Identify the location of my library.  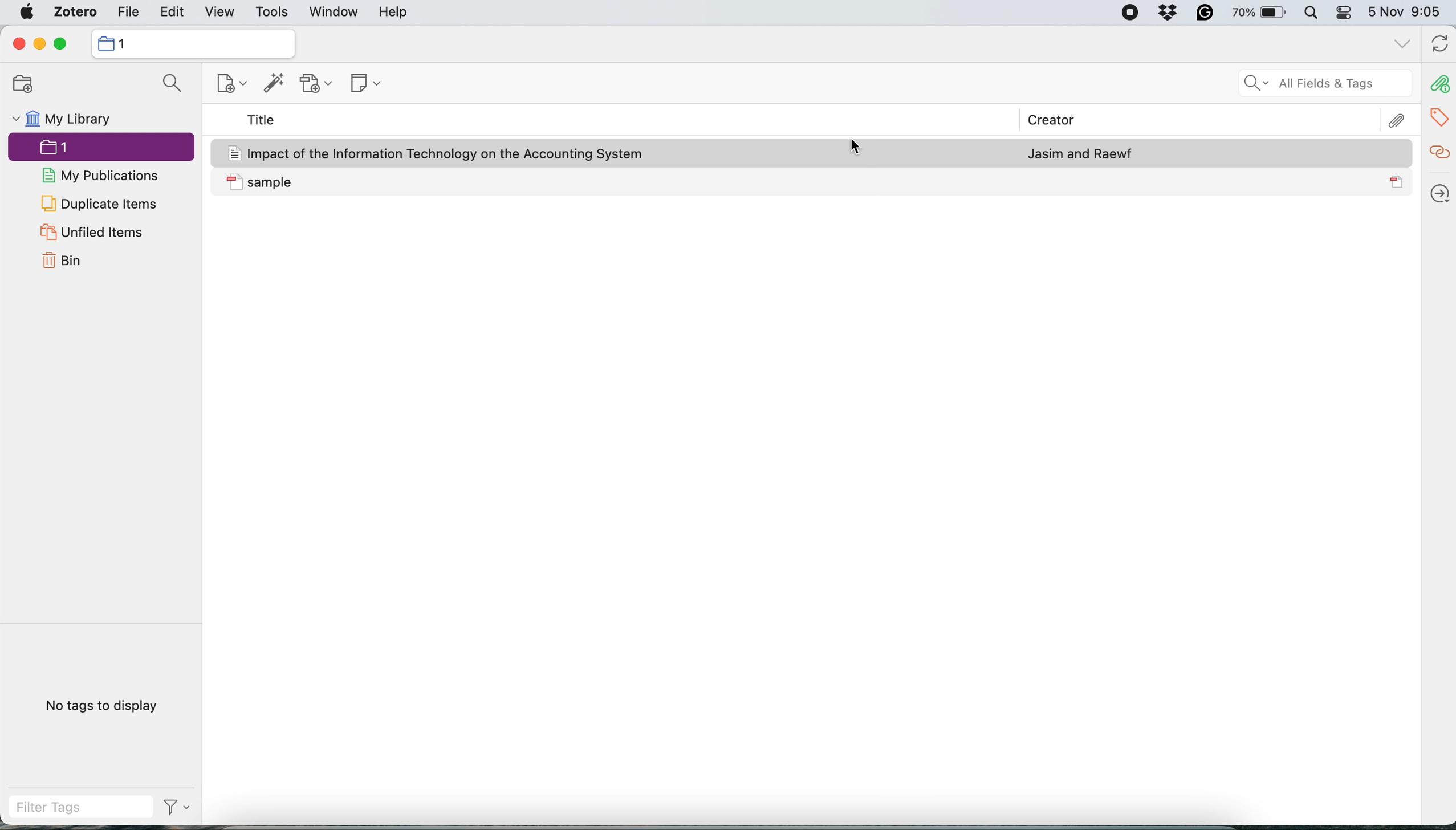
(60, 121).